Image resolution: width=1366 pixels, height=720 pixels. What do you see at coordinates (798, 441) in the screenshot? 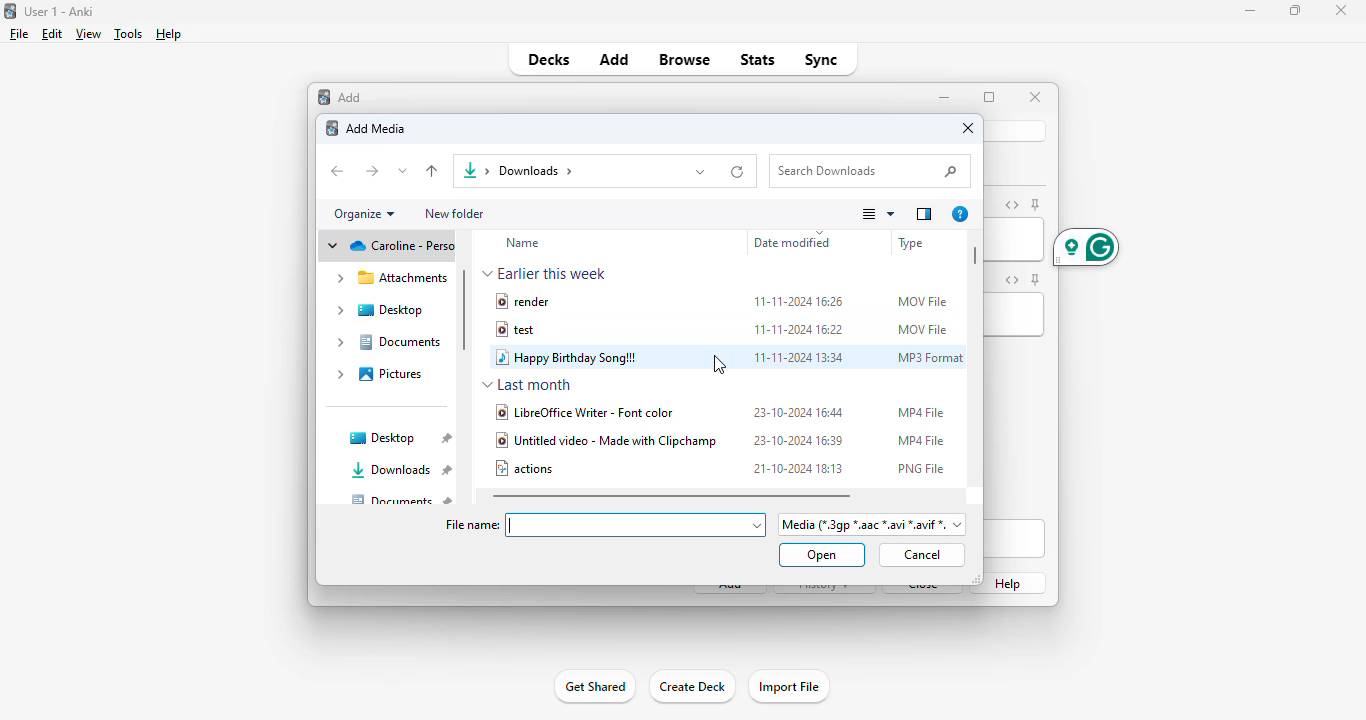
I see `23-10-2024` at bounding box center [798, 441].